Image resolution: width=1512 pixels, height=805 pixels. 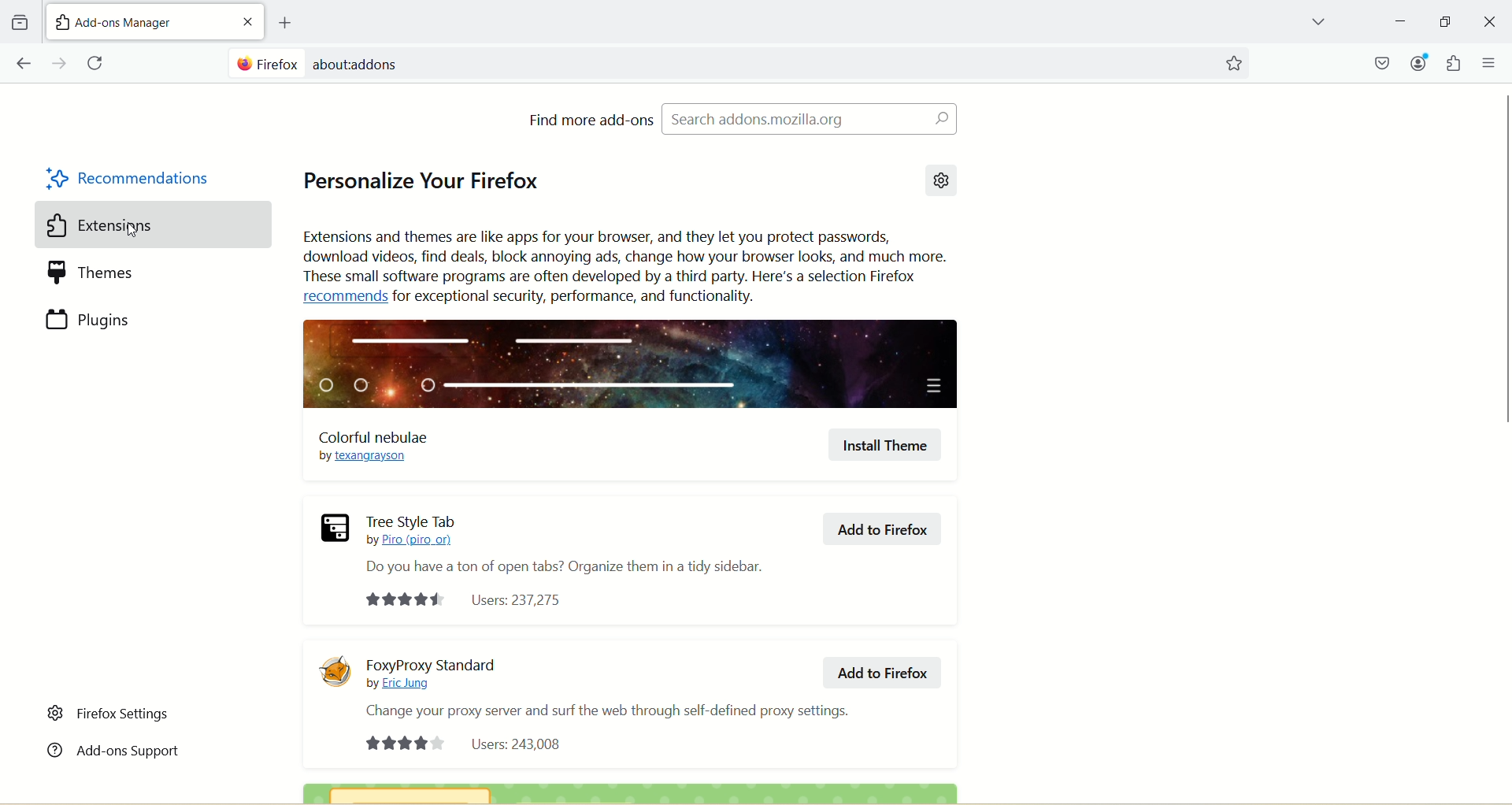 I want to click on More, so click(x=1490, y=62).